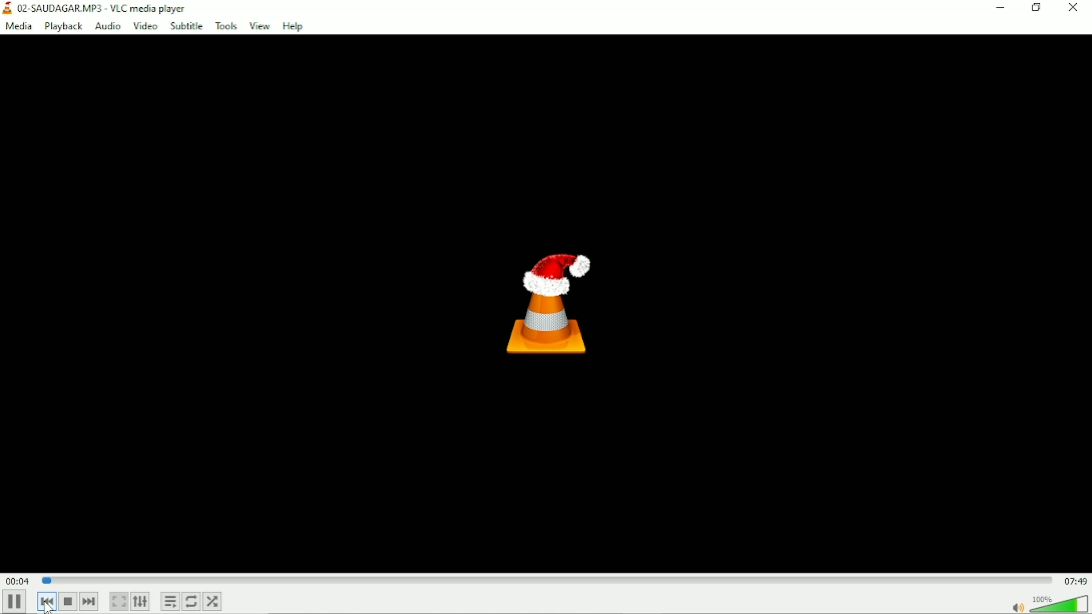 Image resolution: width=1092 pixels, height=614 pixels. I want to click on ‘www Songs. PK - Tughe Main Pyar Karu - waw.Songs PK - VLC media player, so click(179, 8).